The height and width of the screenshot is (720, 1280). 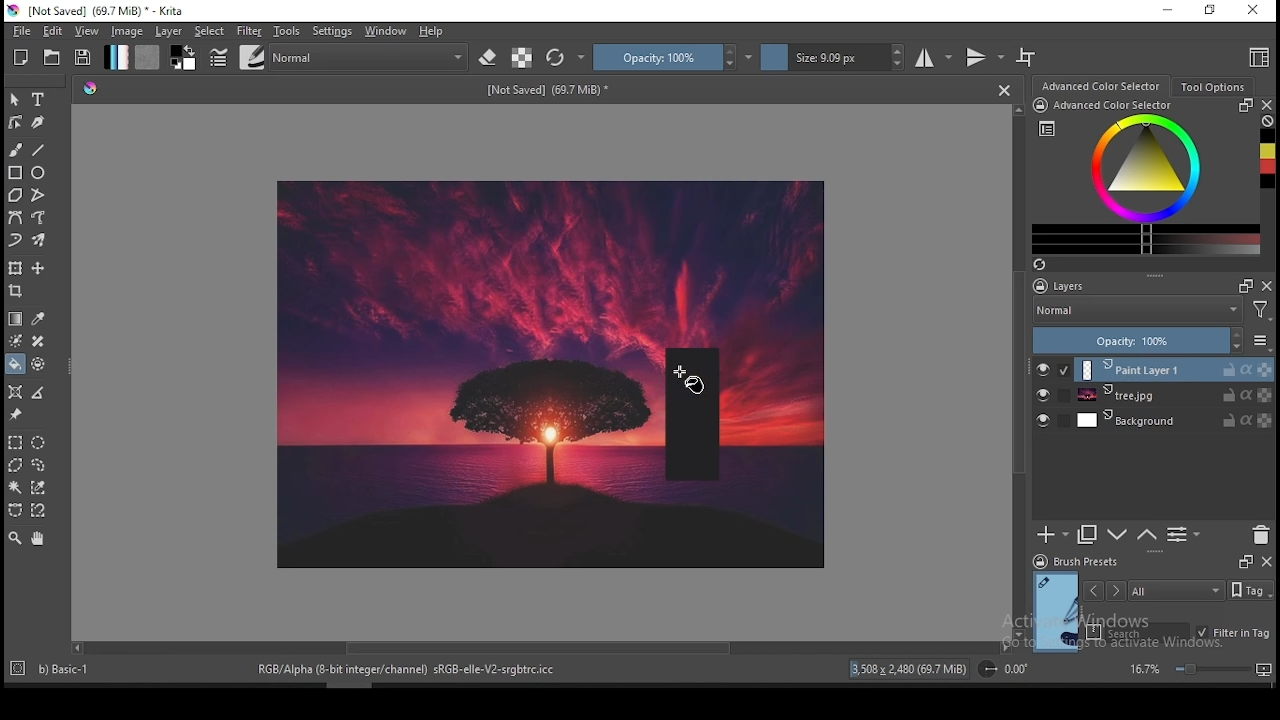 What do you see at coordinates (332, 31) in the screenshot?
I see `settings` at bounding box center [332, 31].